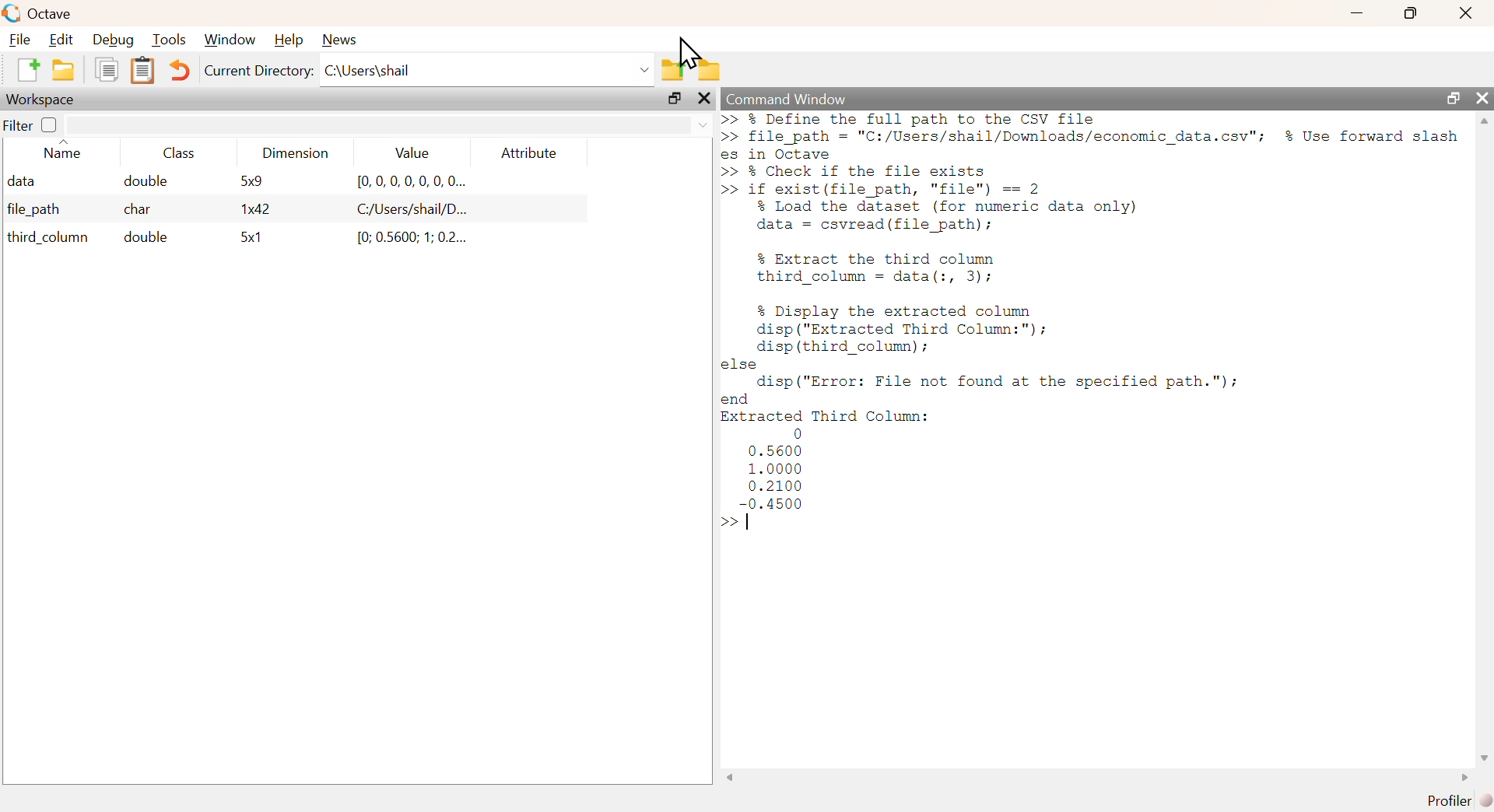  I want to click on close, so click(1468, 11).